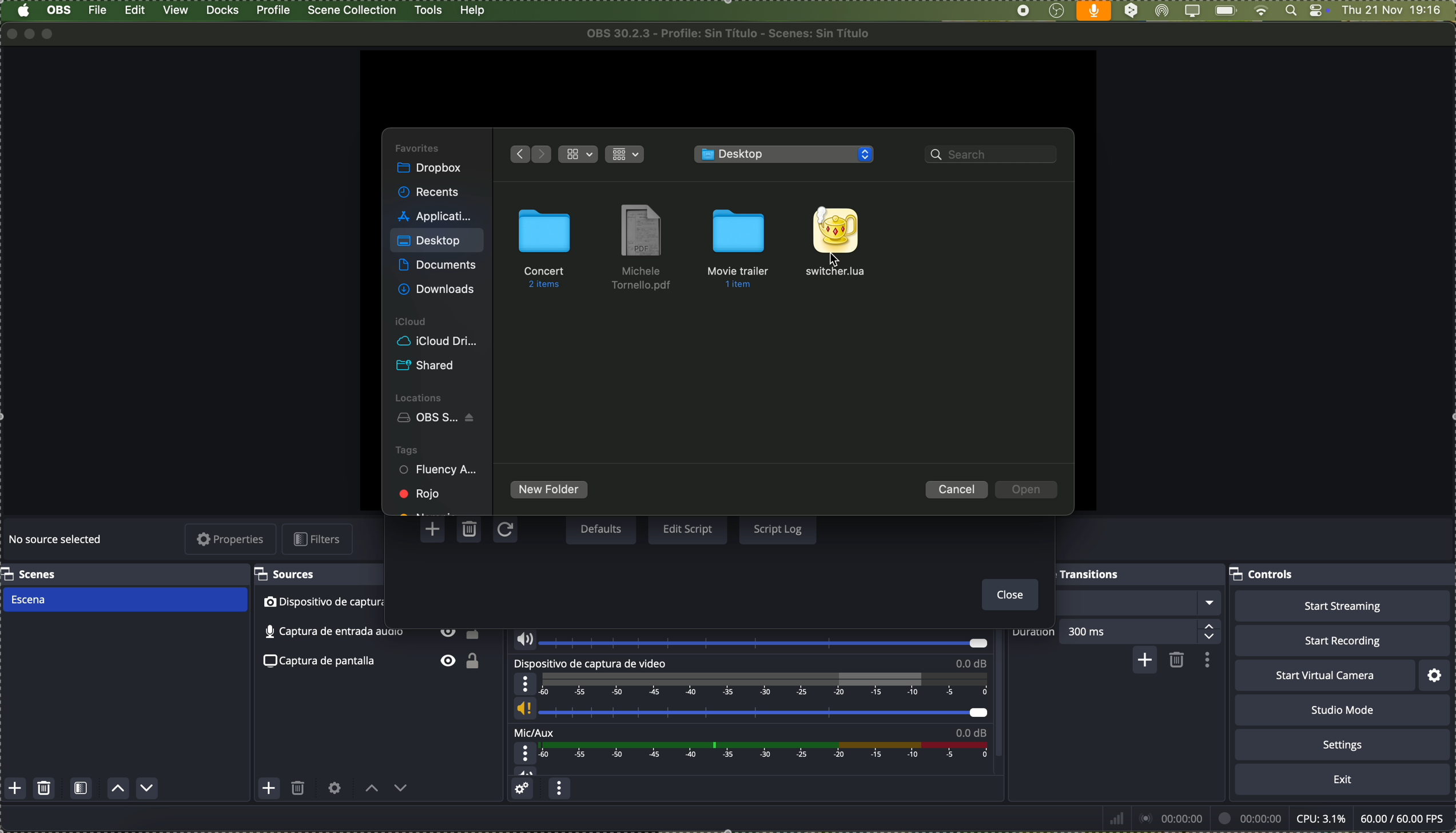 The width and height of the screenshot is (1456, 833). I want to click on date and hour, so click(1398, 11).